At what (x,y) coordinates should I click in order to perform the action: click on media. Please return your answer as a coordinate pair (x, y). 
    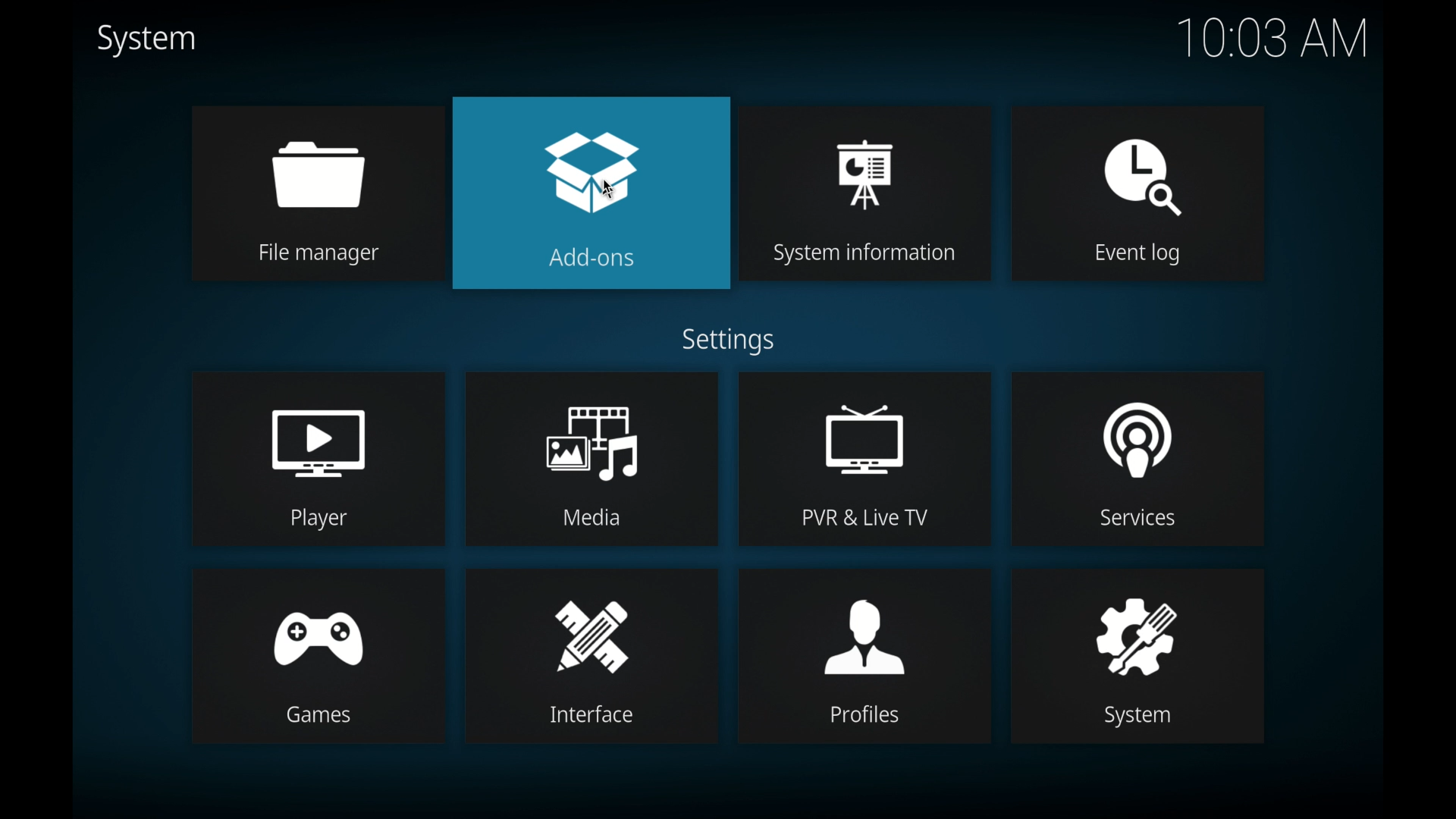
    Looking at the image, I should click on (591, 459).